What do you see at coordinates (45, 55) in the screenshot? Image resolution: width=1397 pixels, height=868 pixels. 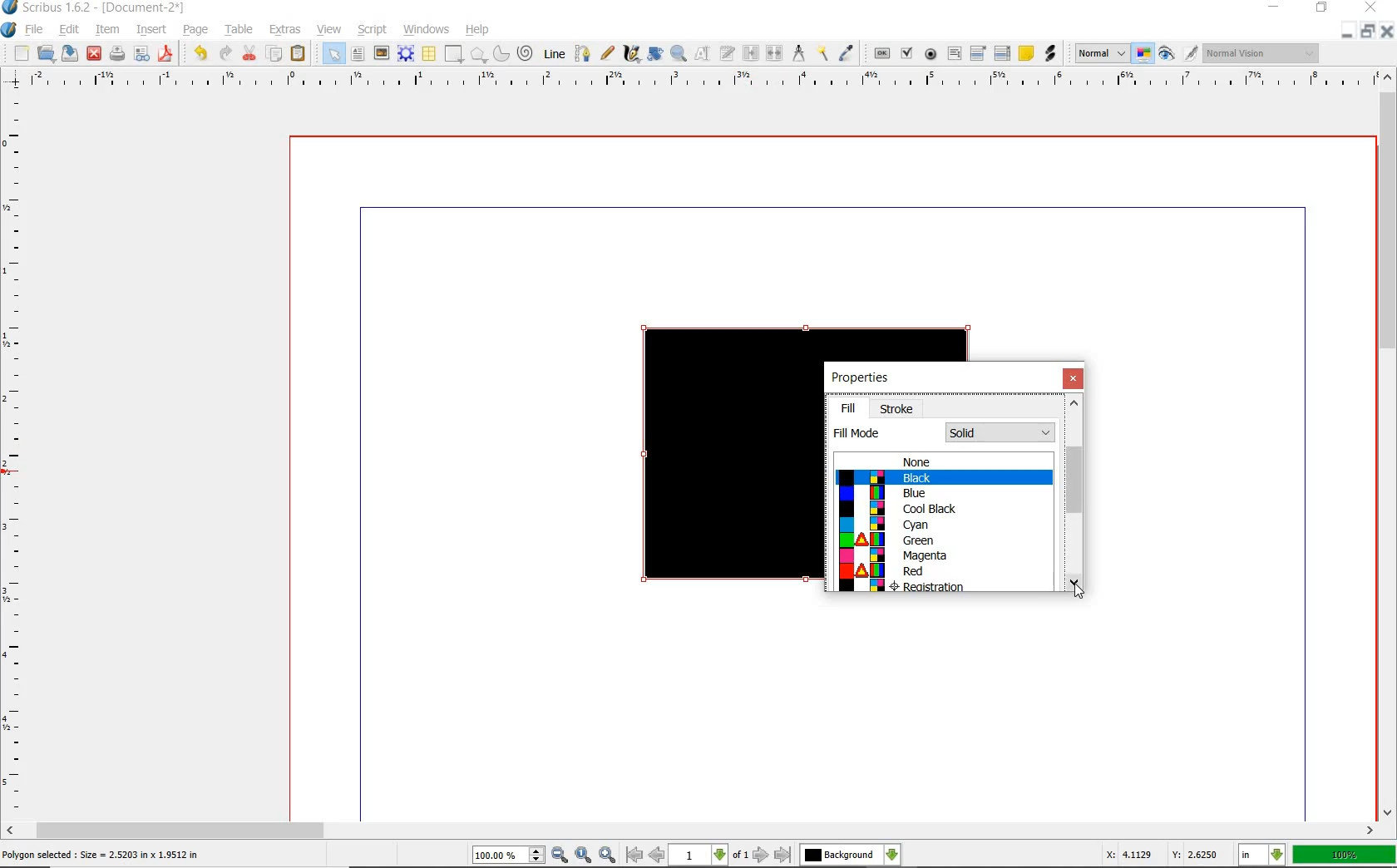 I see `open` at bounding box center [45, 55].